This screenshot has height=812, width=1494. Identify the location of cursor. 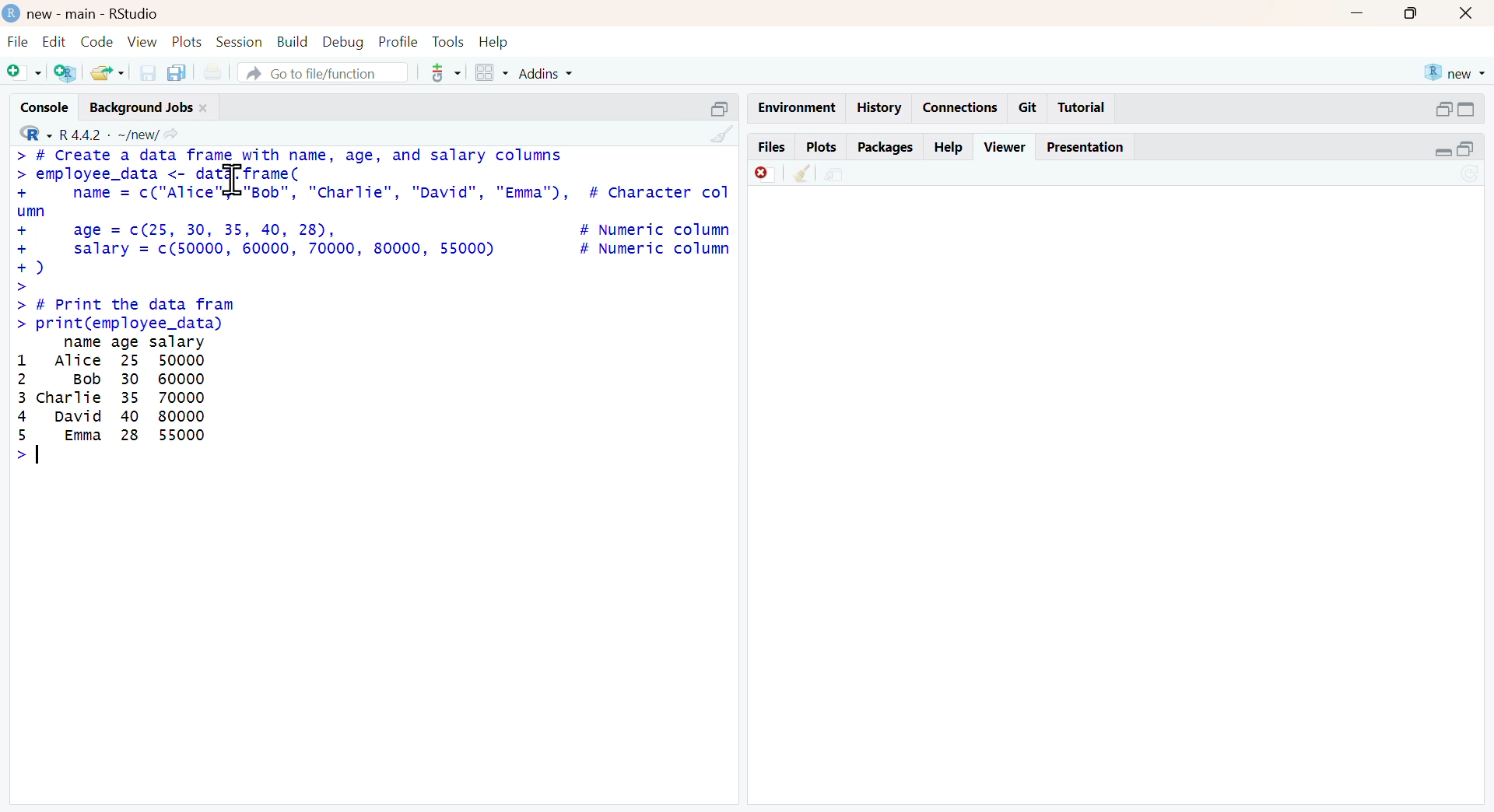
(234, 180).